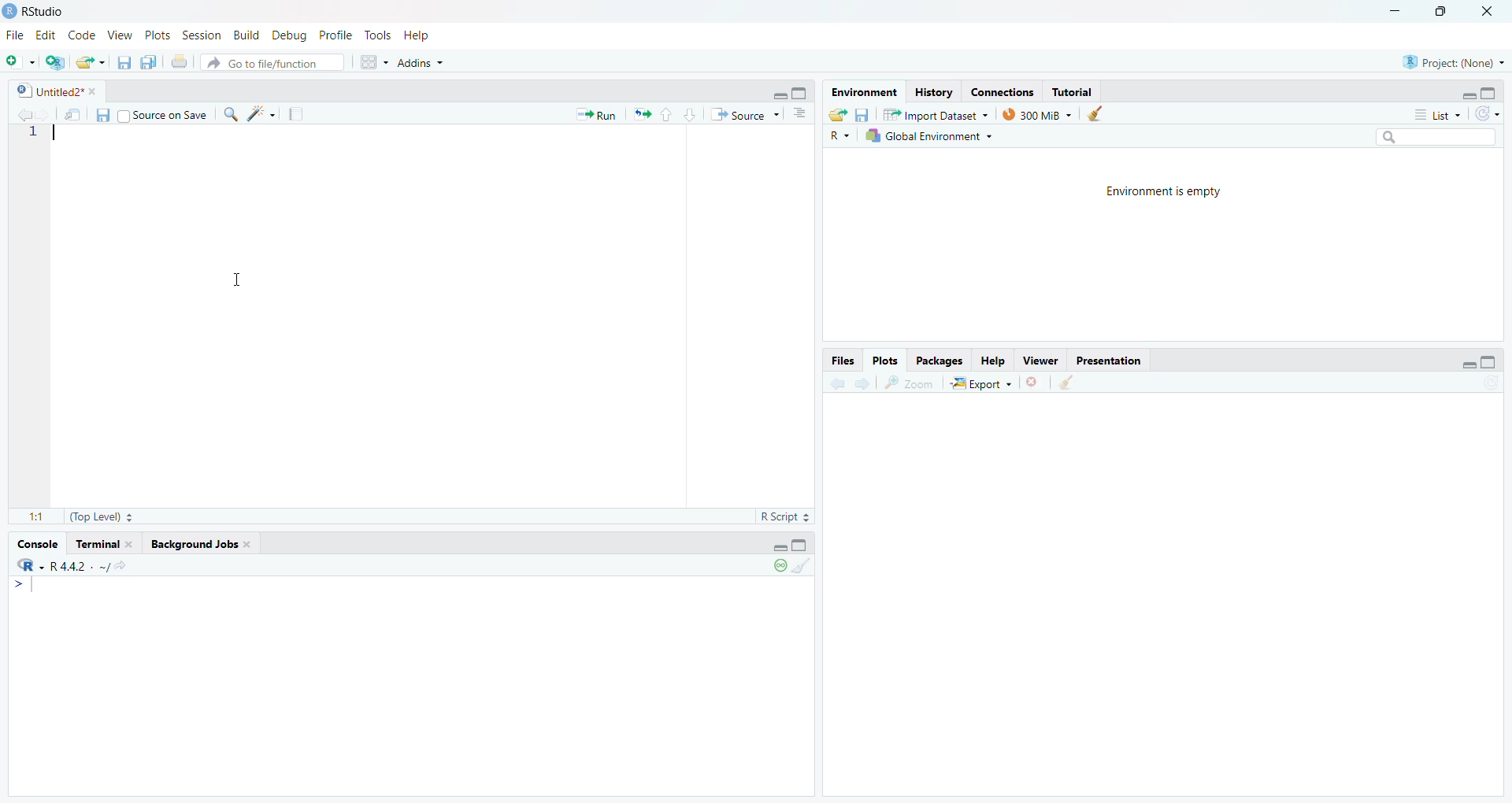 The image size is (1512, 803). What do you see at coordinates (1398, 13) in the screenshot?
I see `minimize` at bounding box center [1398, 13].